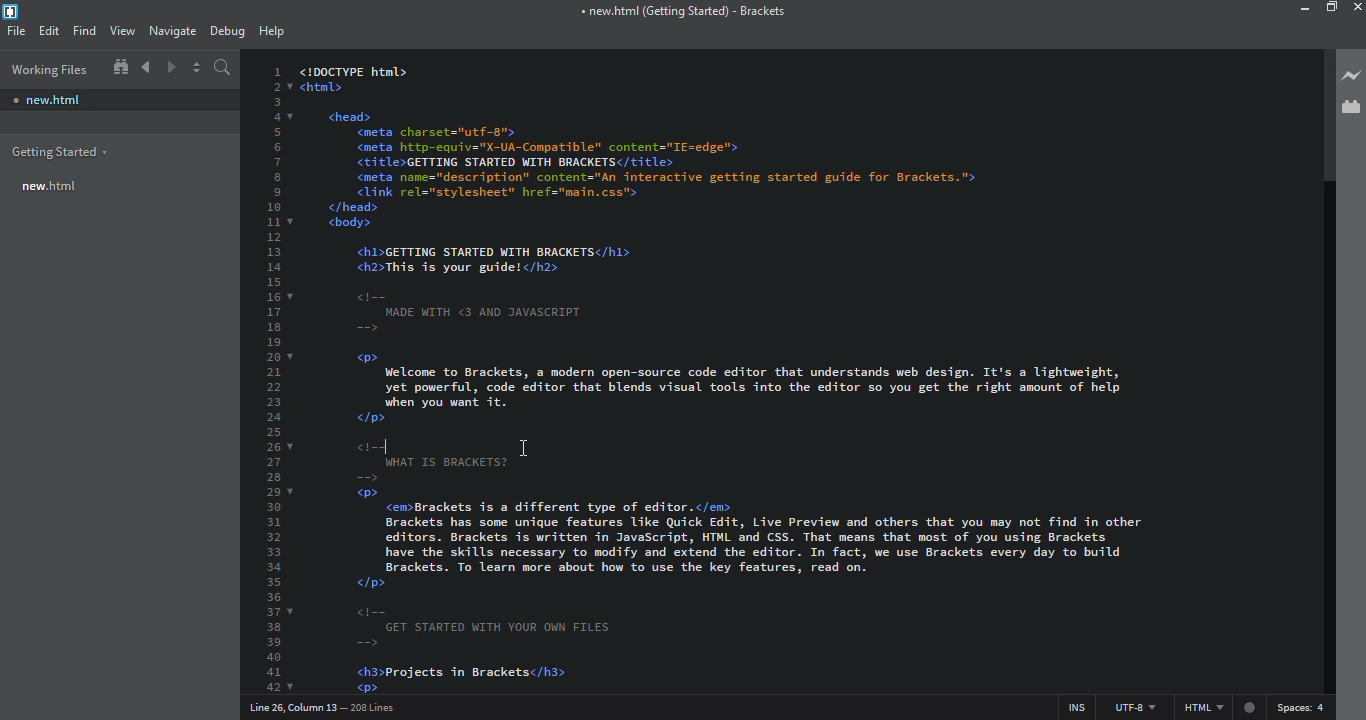 This screenshot has width=1366, height=720. Describe the element at coordinates (399, 448) in the screenshot. I see `line` at that location.